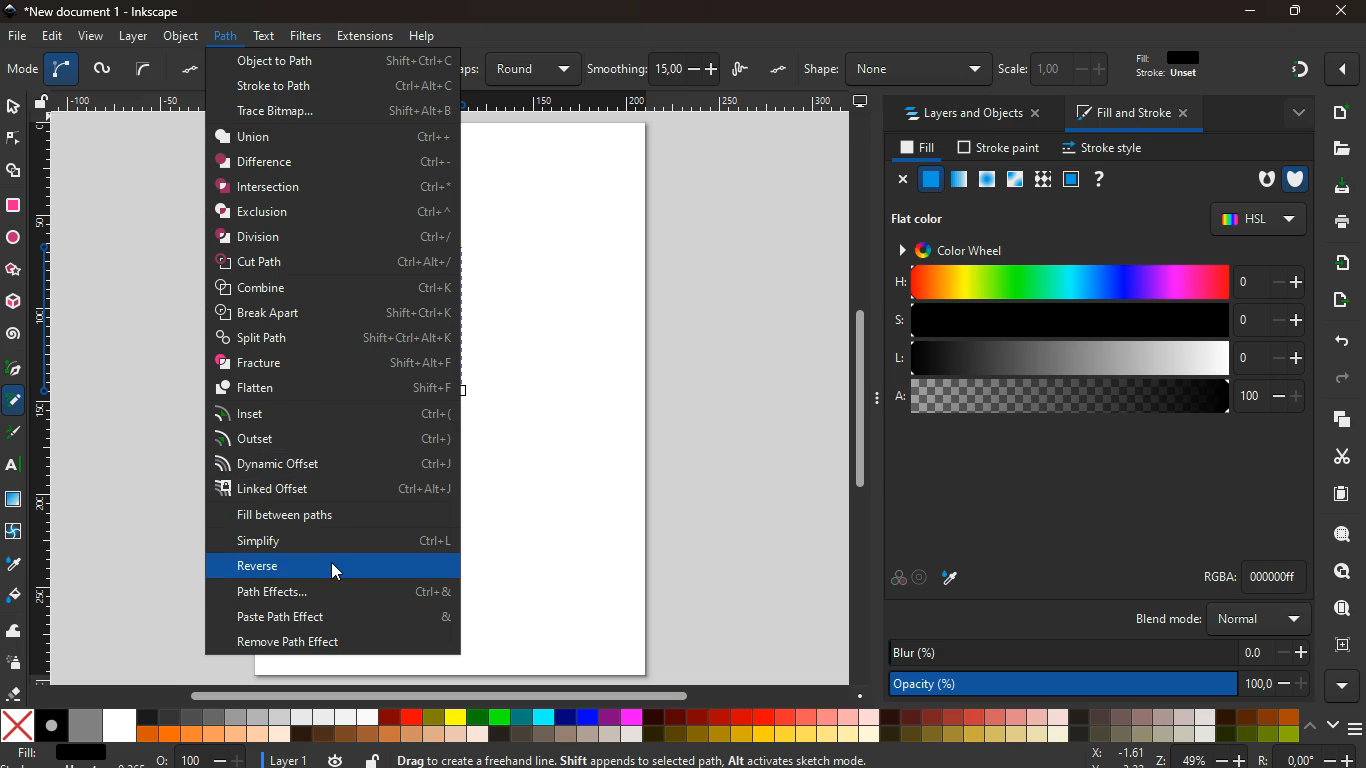 The width and height of the screenshot is (1366, 768). What do you see at coordinates (333, 438) in the screenshot?
I see `outset` at bounding box center [333, 438].